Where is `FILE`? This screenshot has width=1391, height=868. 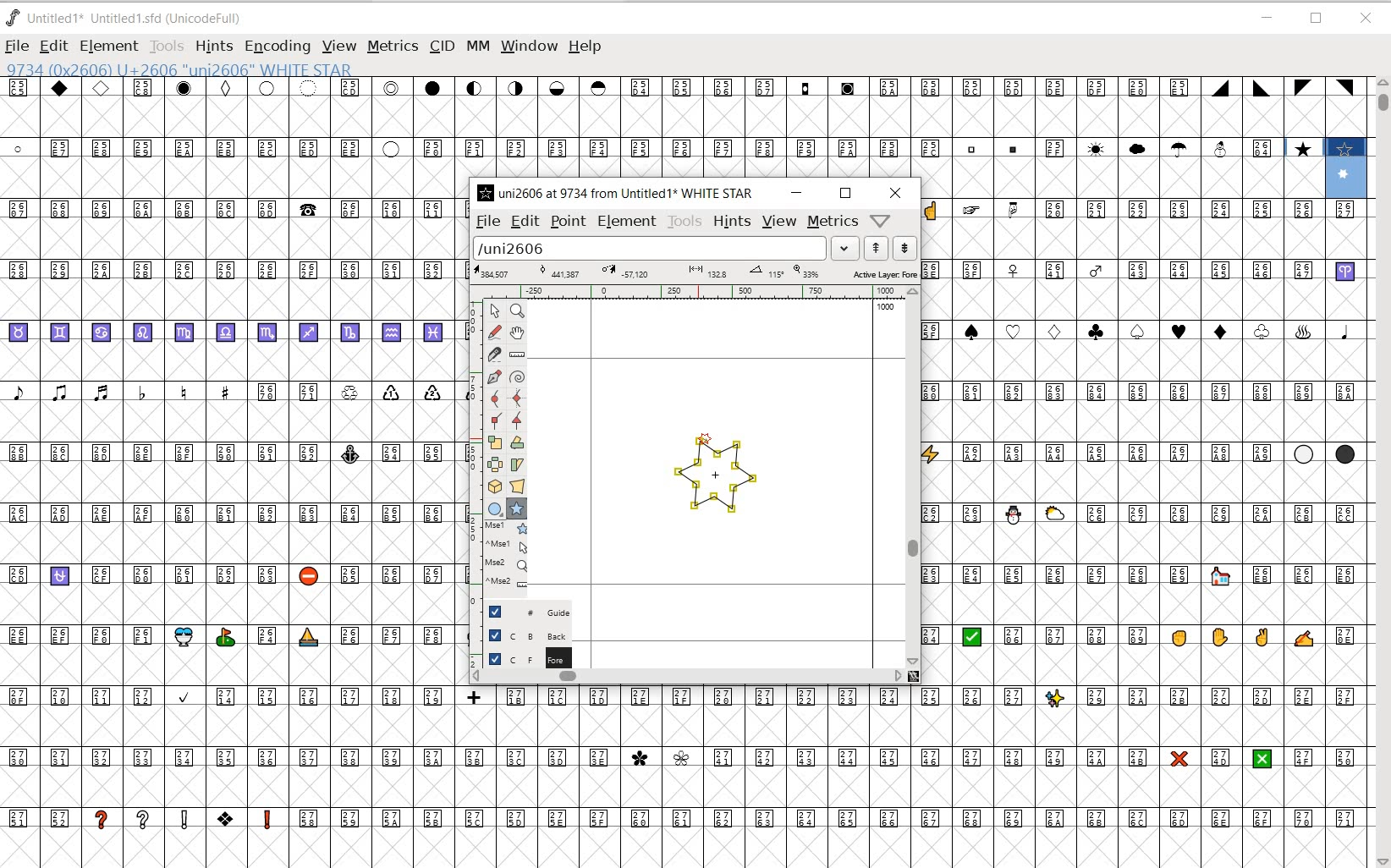
FILE is located at coordinates (487, 222).